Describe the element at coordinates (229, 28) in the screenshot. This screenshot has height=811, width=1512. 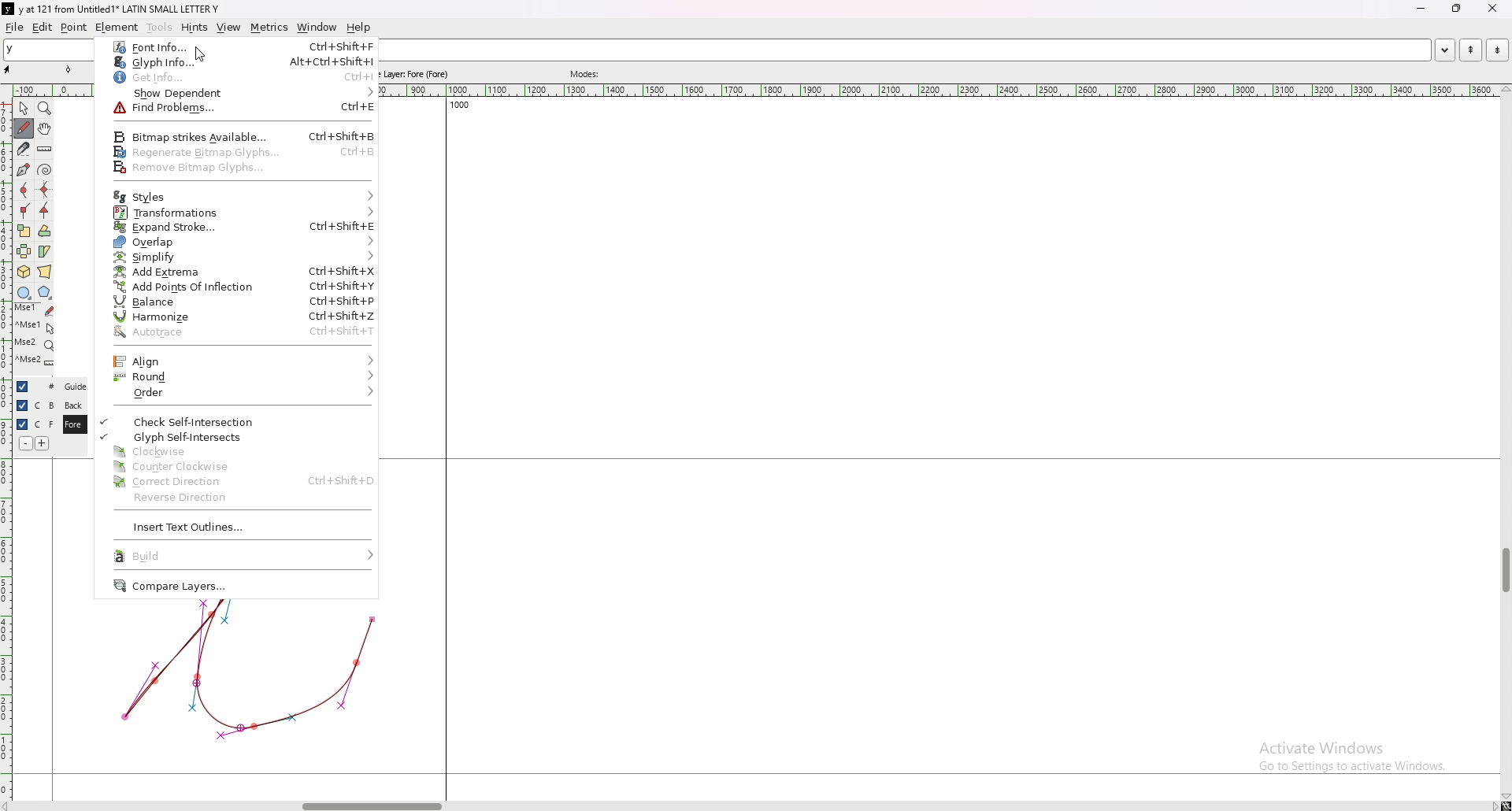
I see `view` at that location.